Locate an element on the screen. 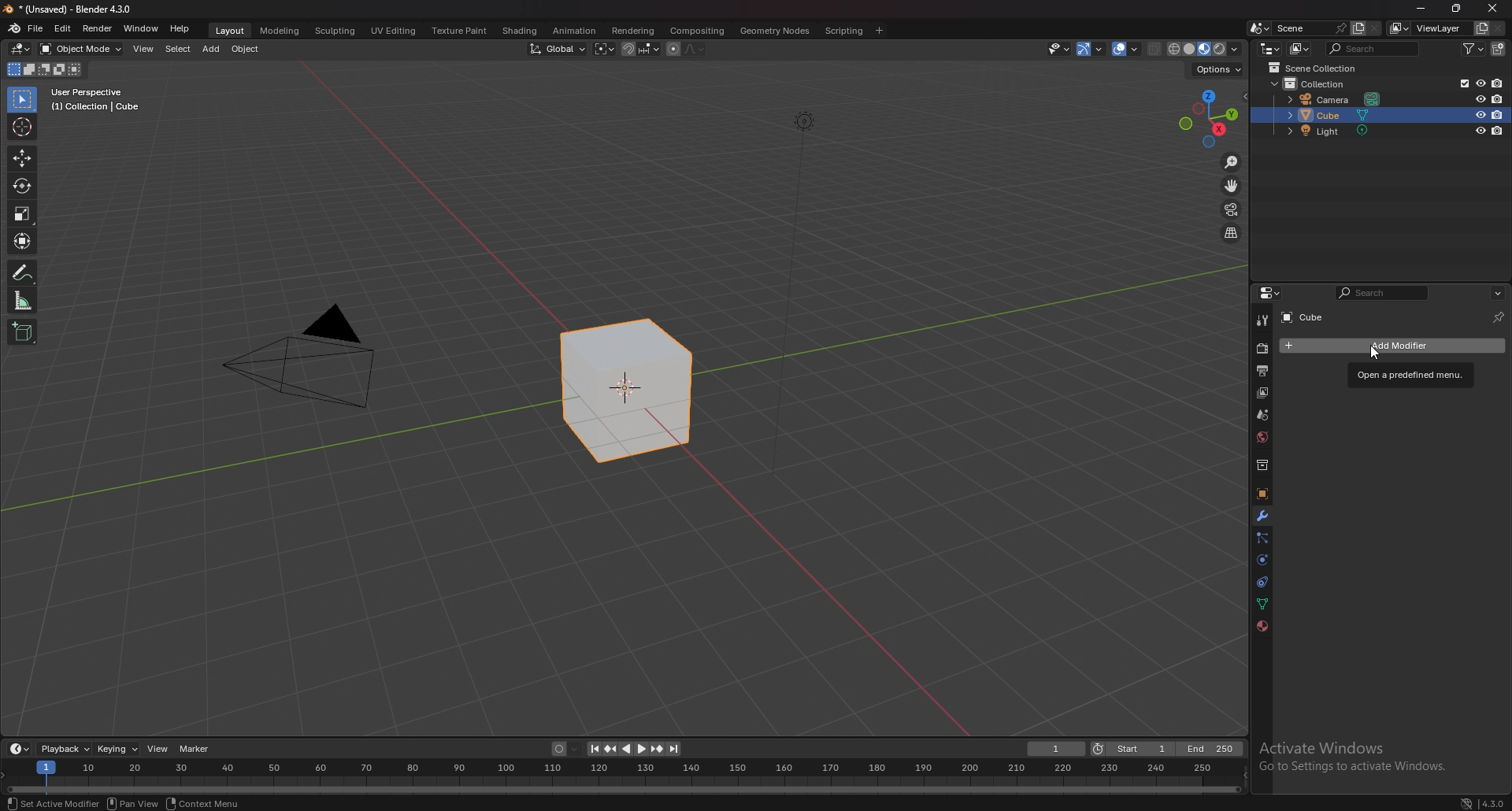 This screenshot has width=1512, height=811. select is located at coordinates (178, 49).